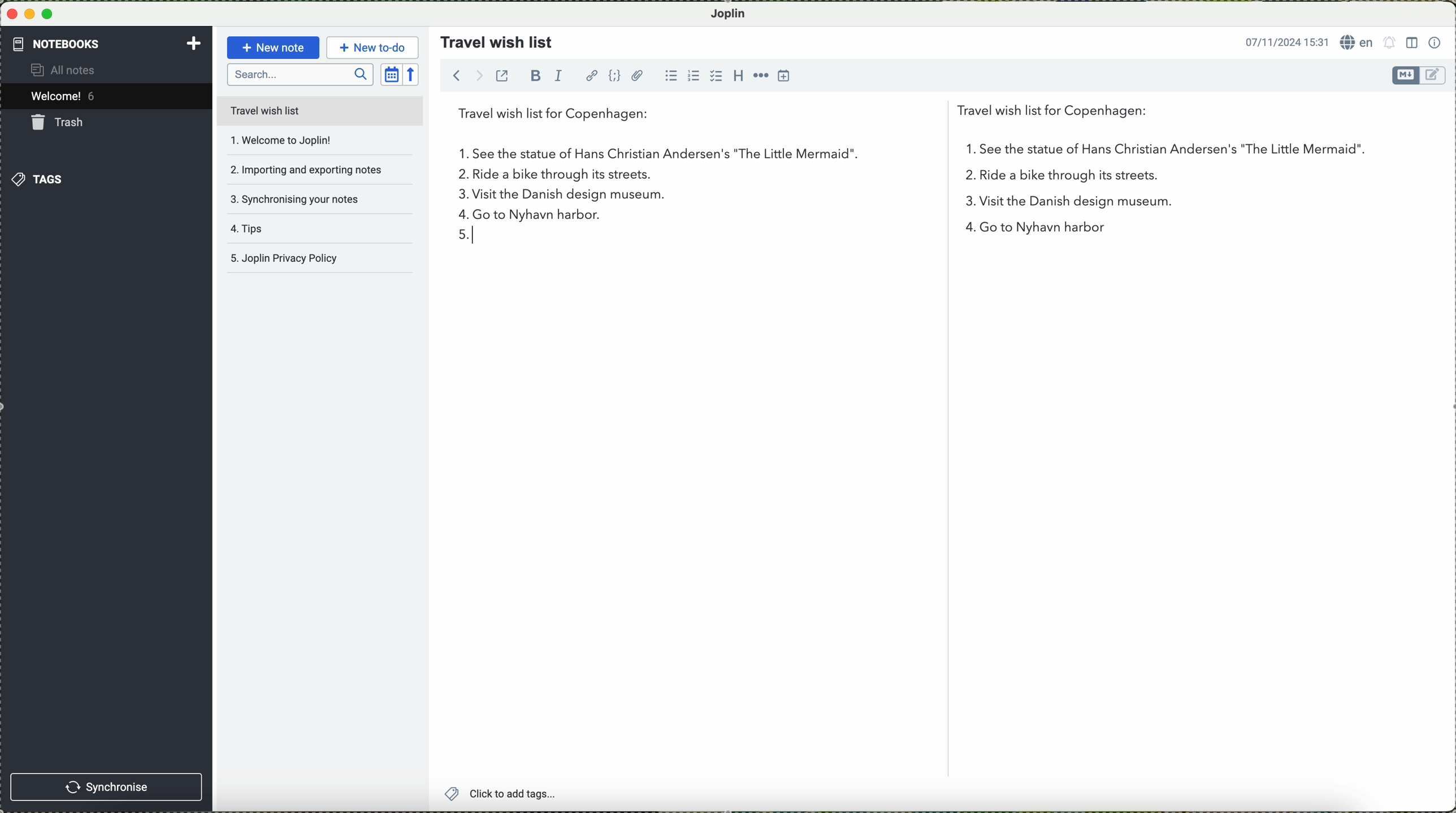 The image size is (1456, 813). Describe the element at coordinates (809, 197) in the screenshot. I see `visit the Danish design museum.` at that location.